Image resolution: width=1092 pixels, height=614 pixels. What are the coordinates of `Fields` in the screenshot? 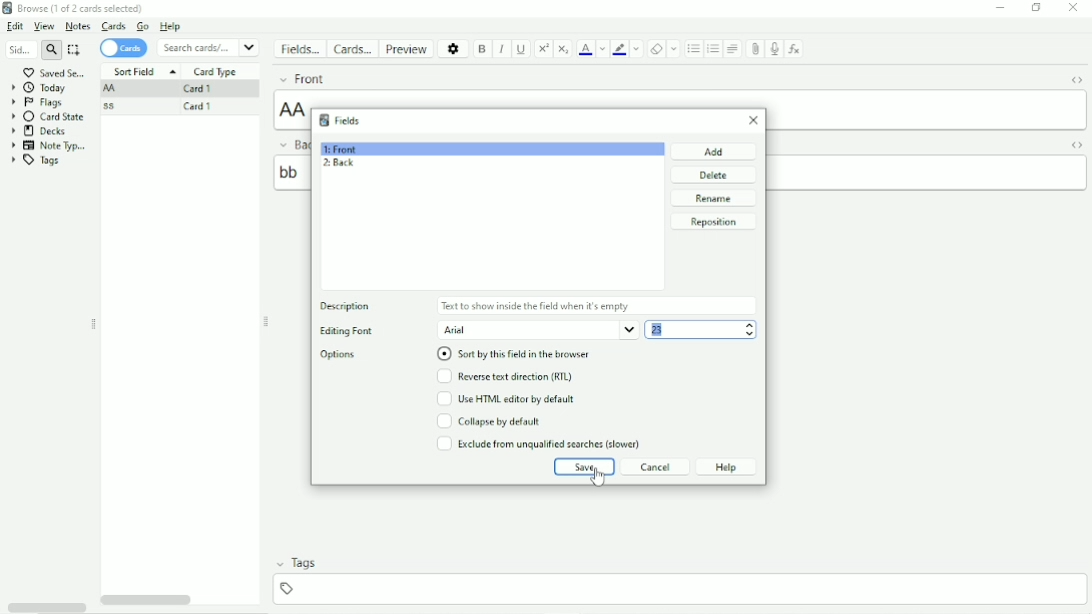 It's located at (299, 51).